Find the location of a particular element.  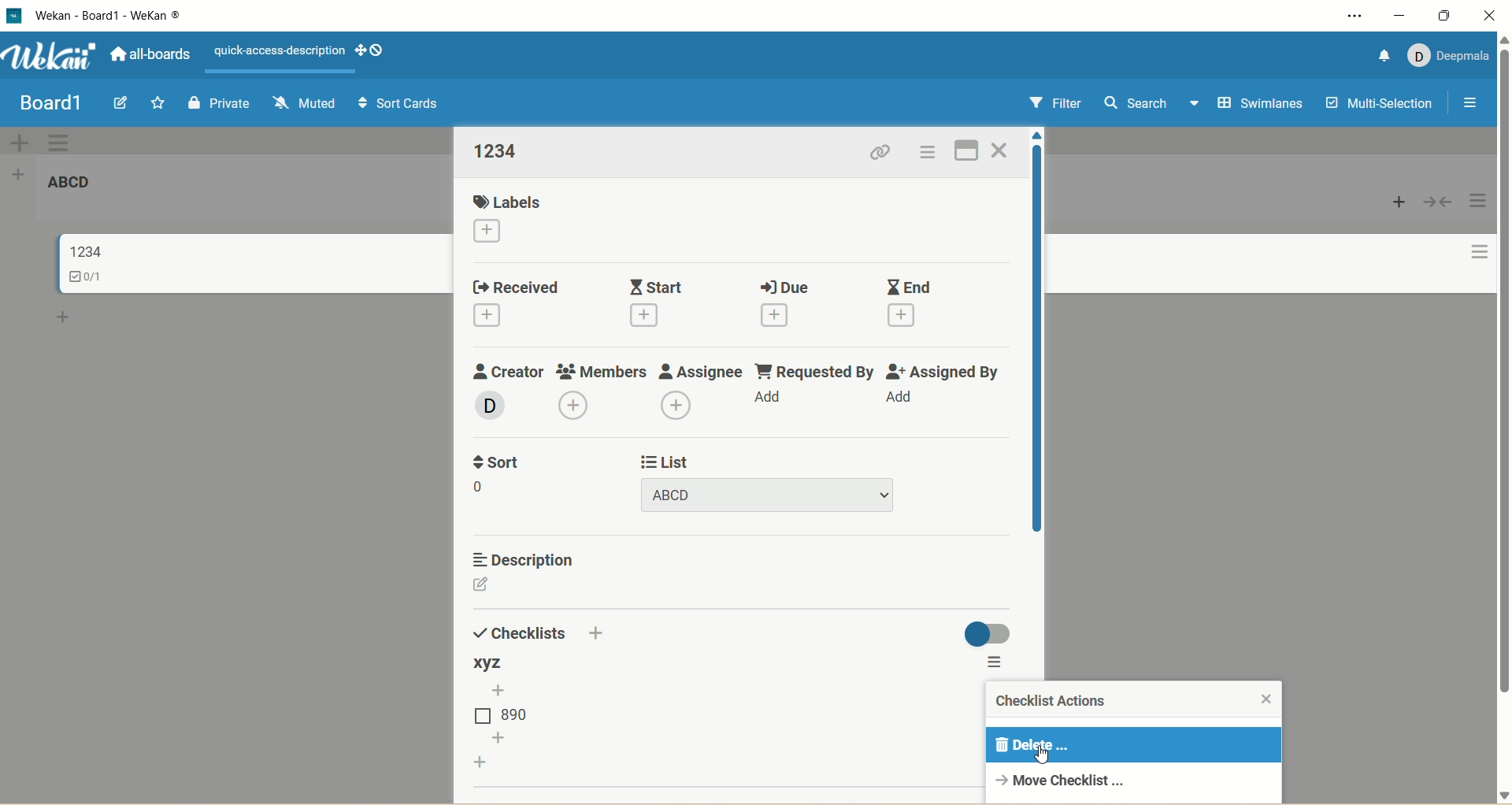

fullscreen is located at coordinates (975, 150).